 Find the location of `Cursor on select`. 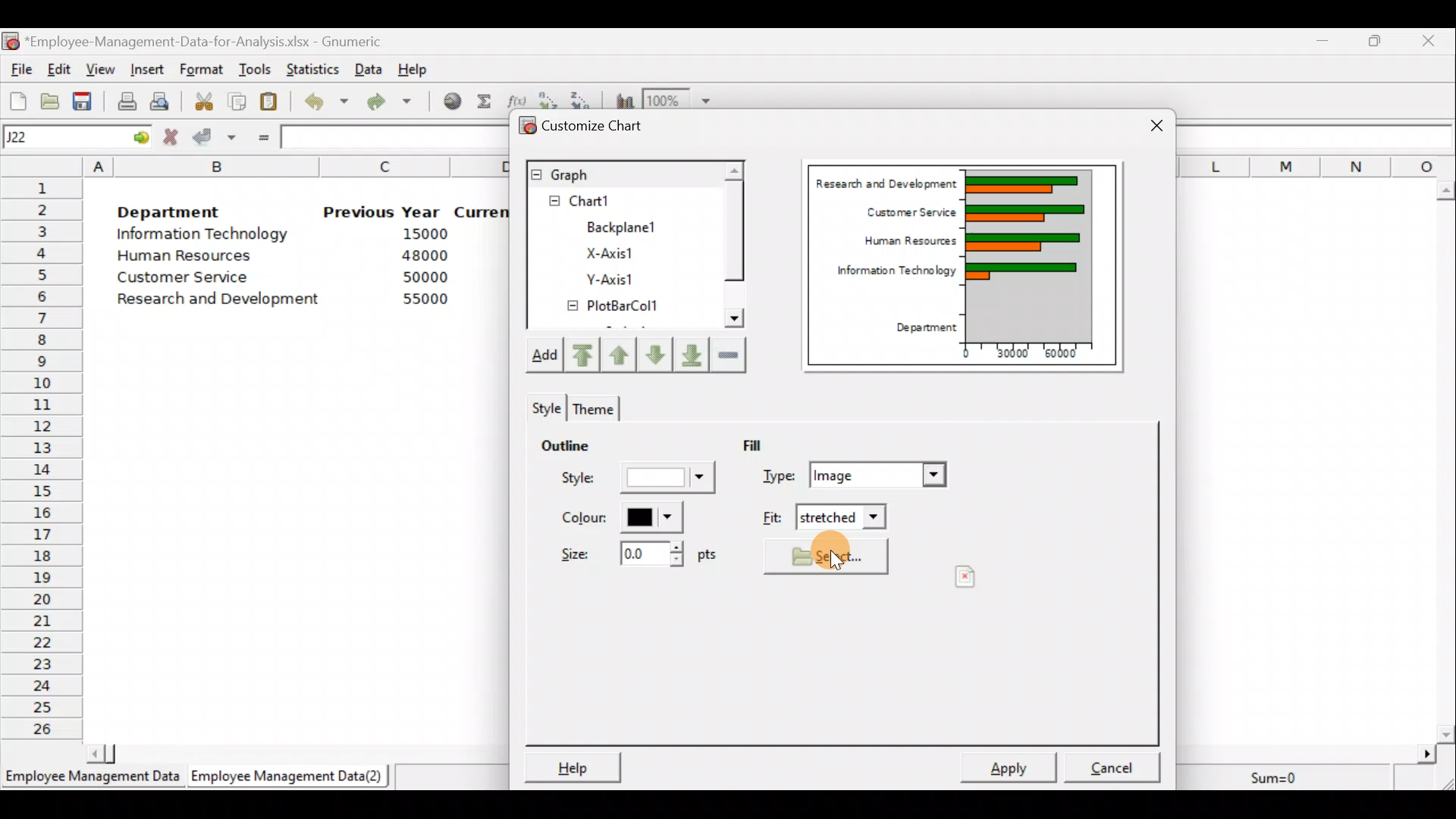

Cursor on select is located at coordinates (839, 559).